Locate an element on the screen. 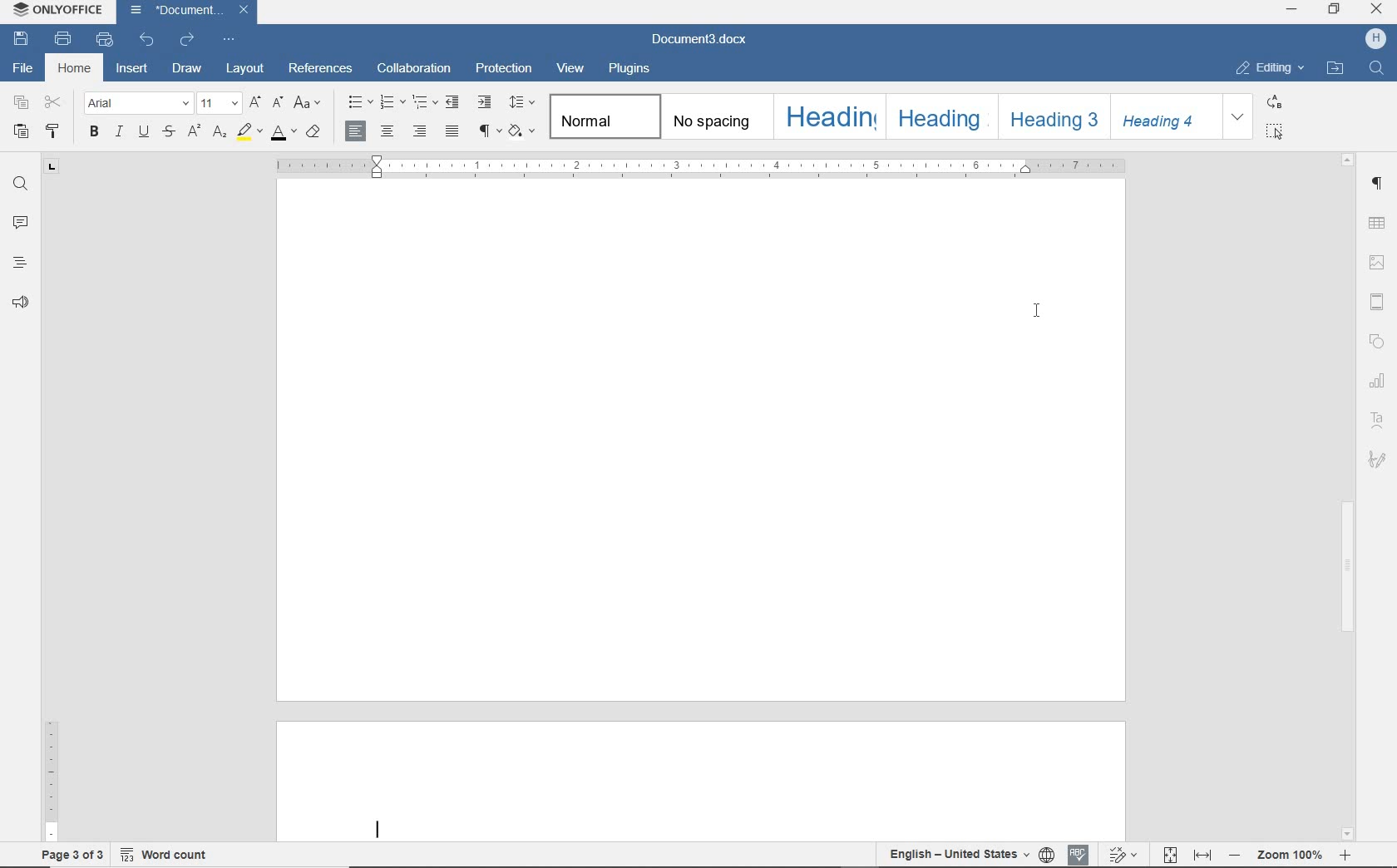 This screenshot has height=868, width=1397. ALIGN RIGHT is located at coordinates (417, 131).